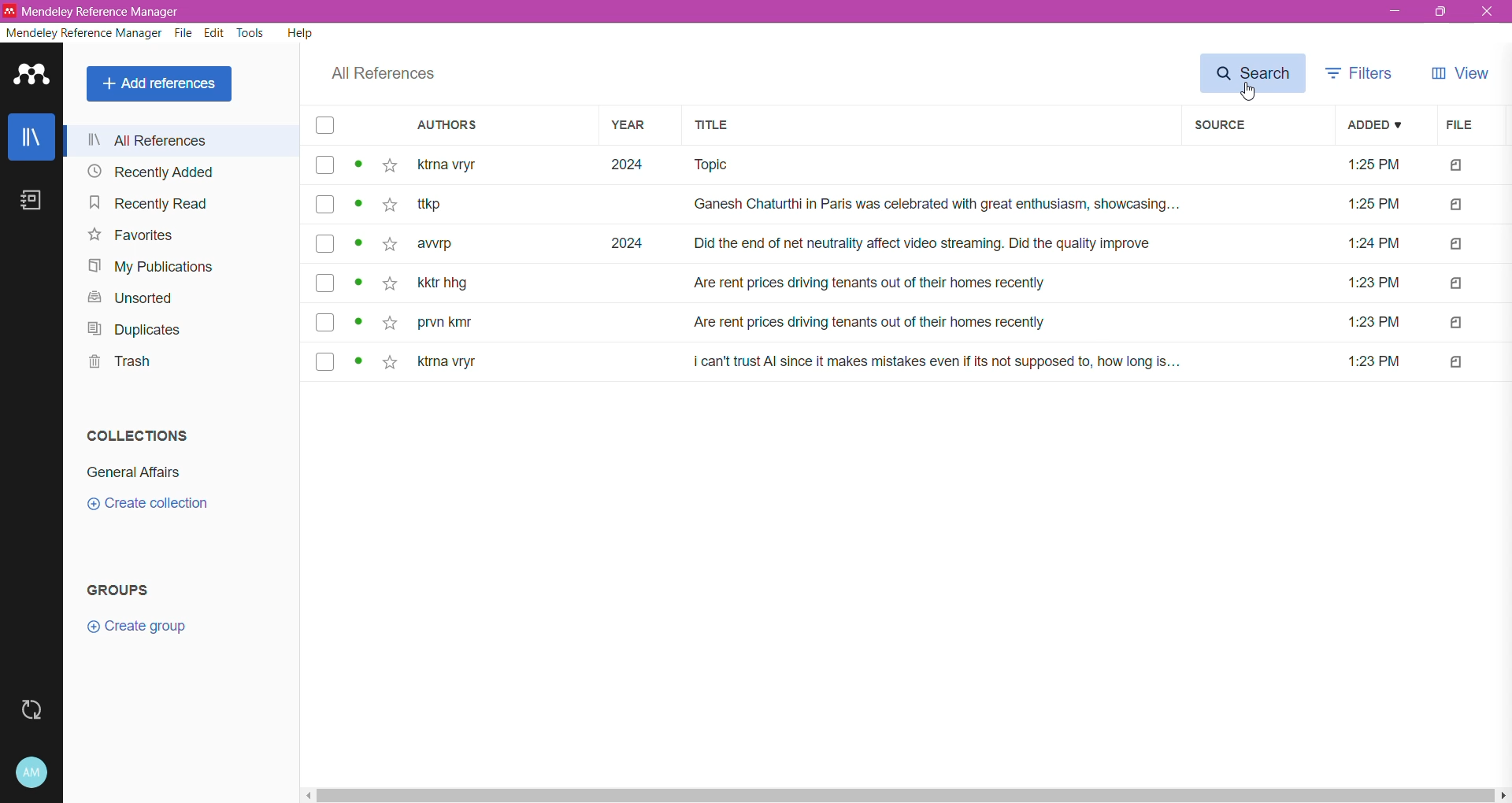 Image resolution: width=1512 pixels, height=803 pixels. I want to click on Close, so click(1488, 13).